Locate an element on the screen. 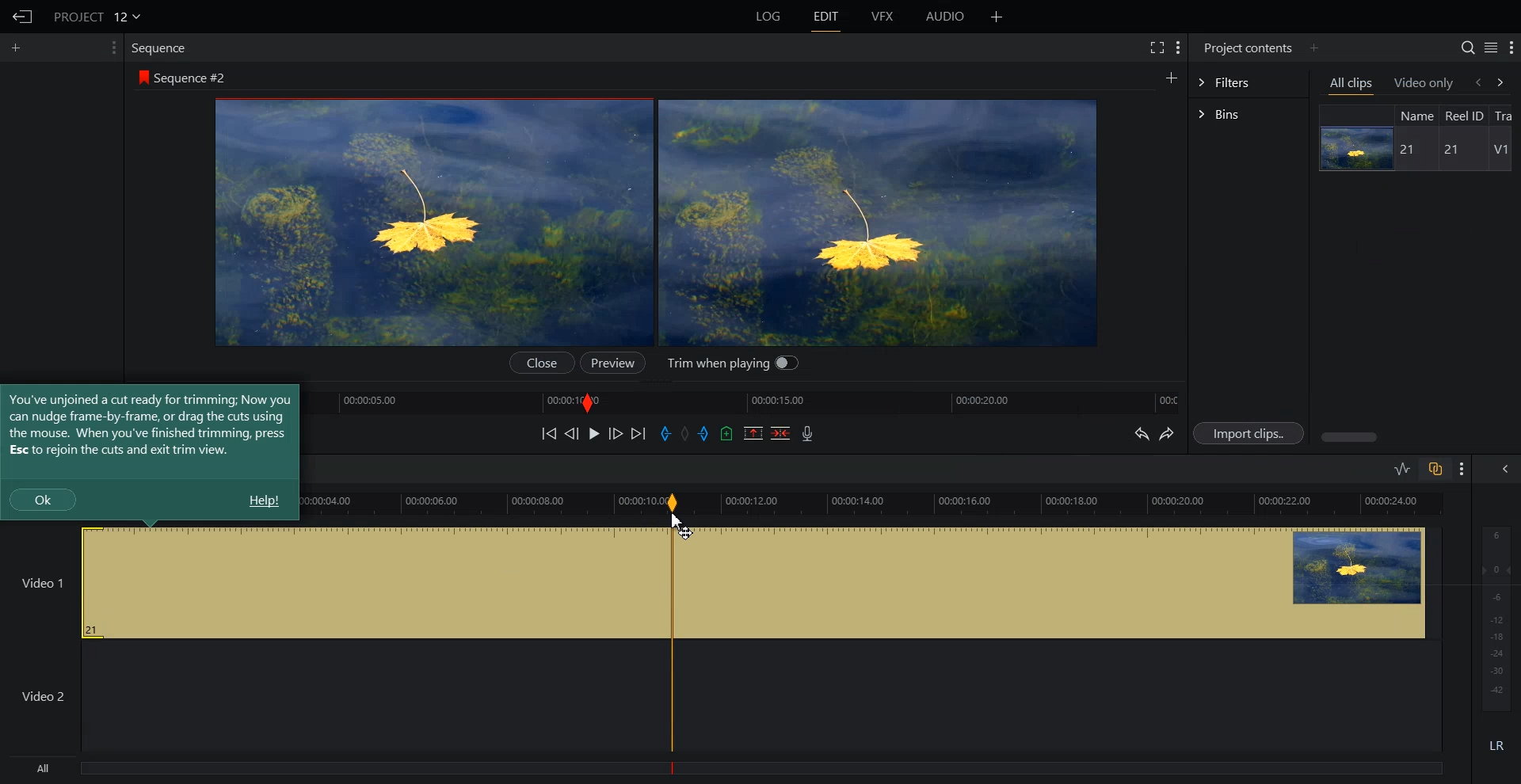 Image resolution: width=1521 pixels, height=784 pixels. playhead is located at coordinates (673, 634).